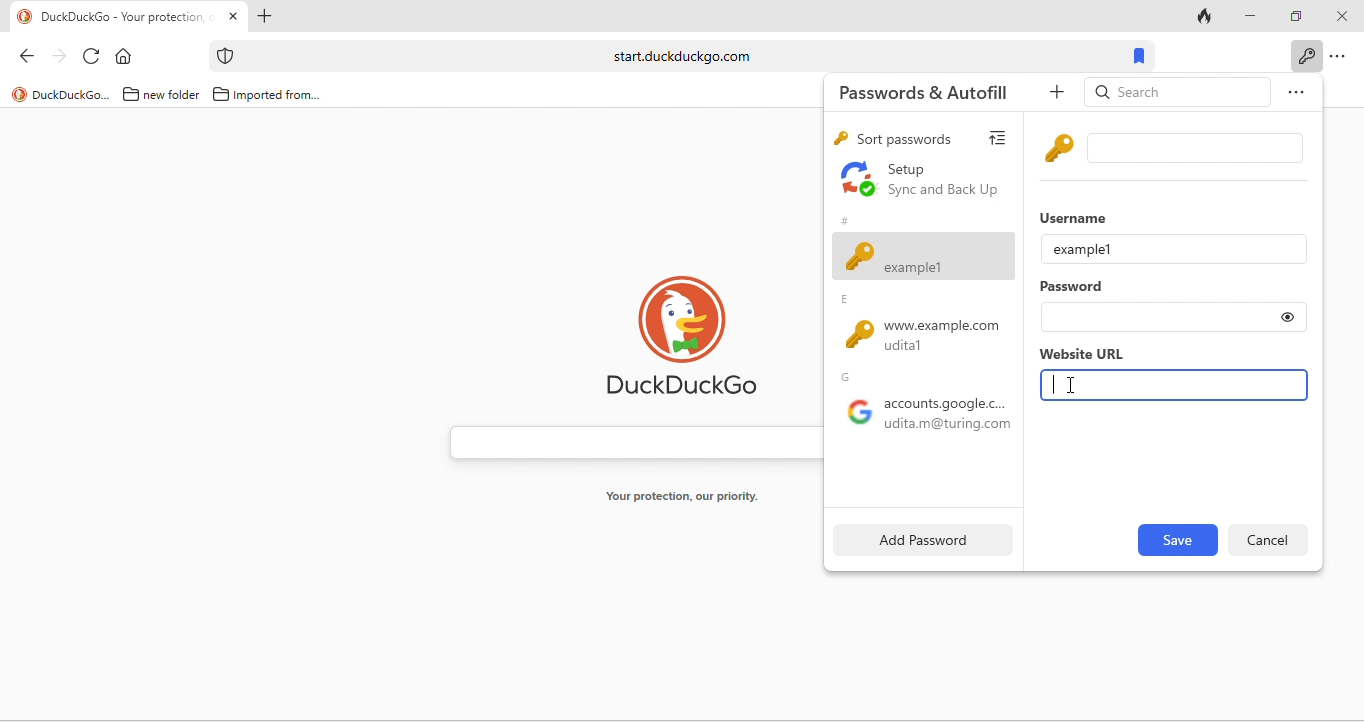 The width and height of the screenshot is (1364, 722). Describe the element at coordinates (19, 94) in the screenshot. I see `logo` at that location.